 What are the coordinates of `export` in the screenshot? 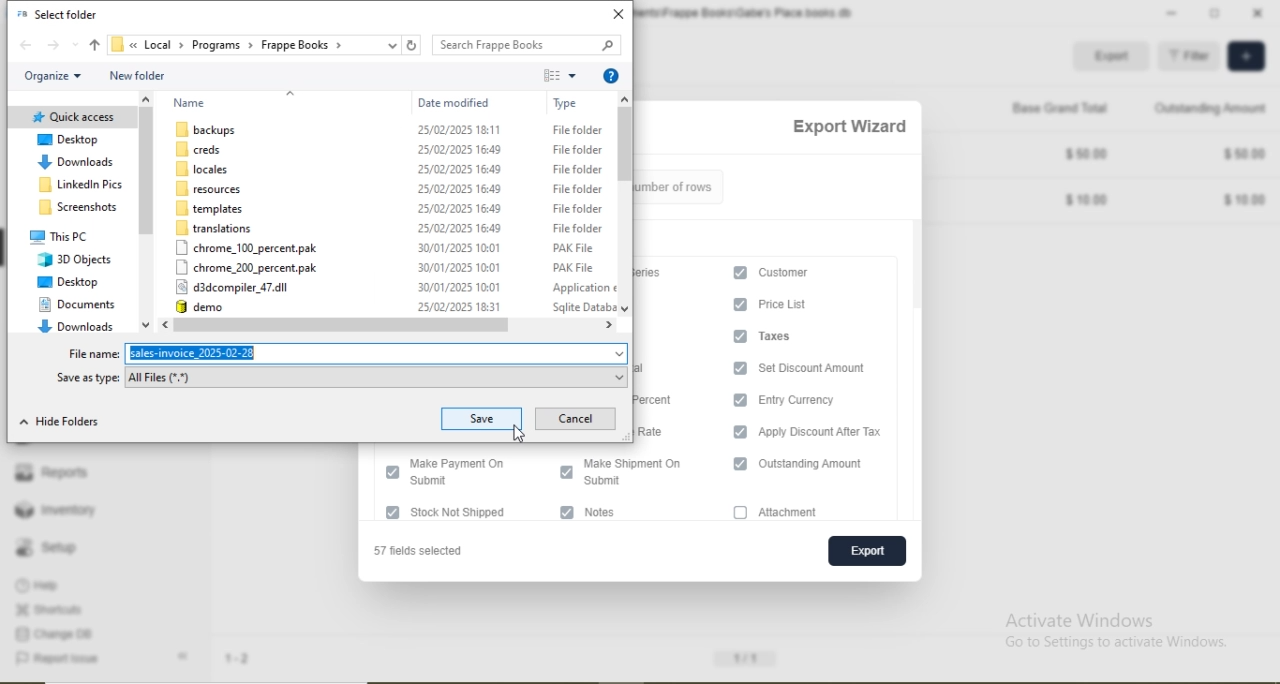 It's located at (864, 550).